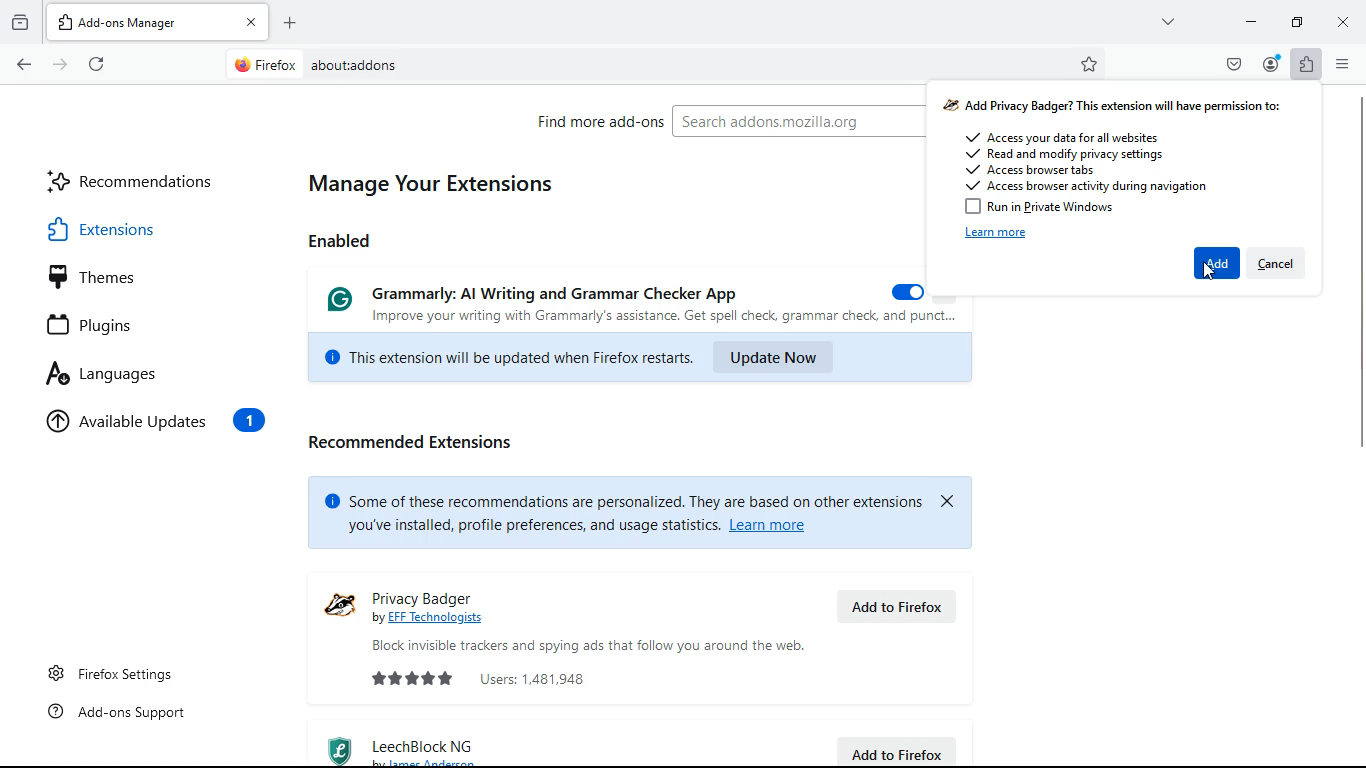 This screenshot has height=768, width=1366. Describe the element at coordinates (1247, 24) in the screenshot. I see `minimize` at that location.